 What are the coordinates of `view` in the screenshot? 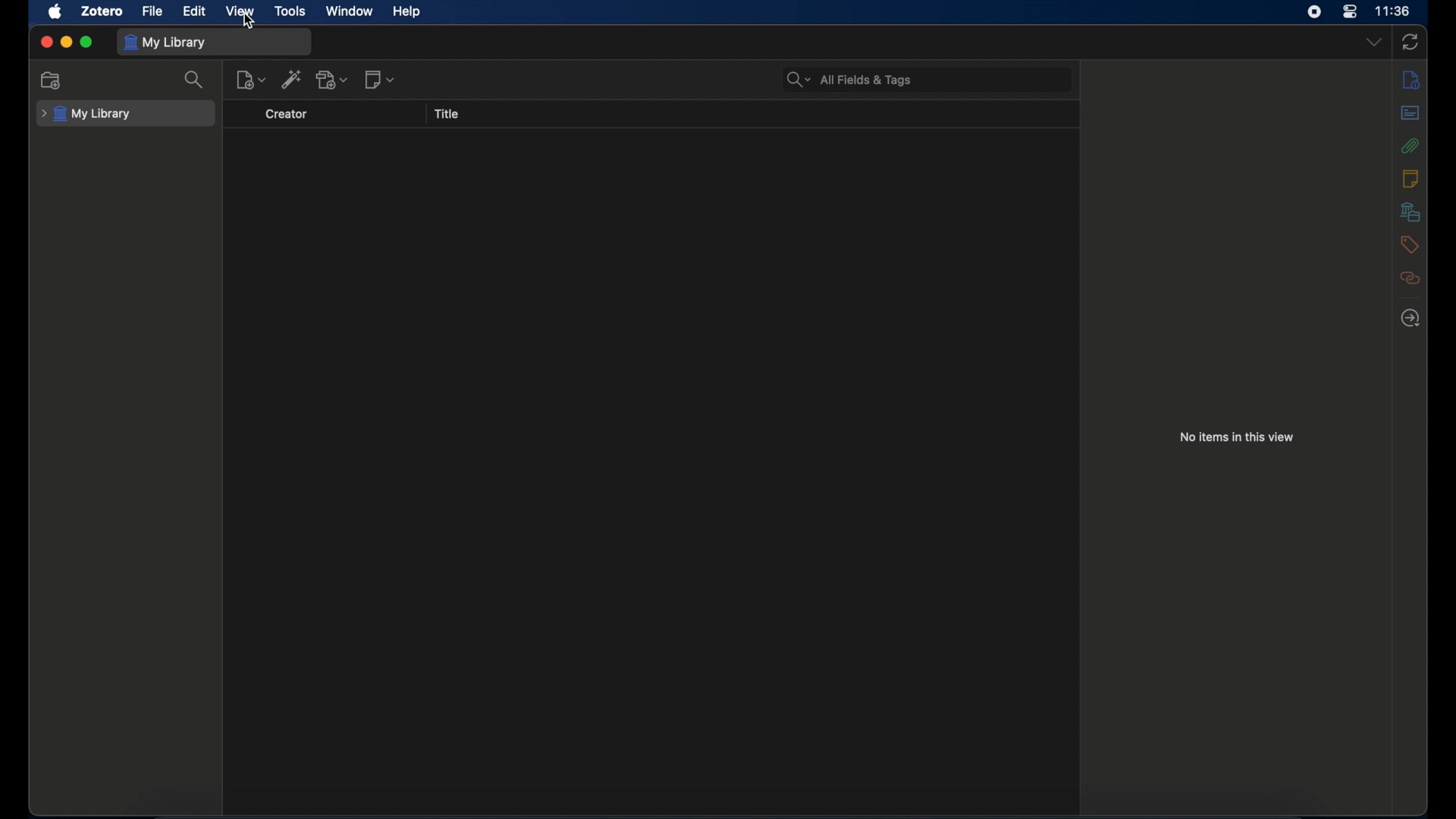 It's located at (240, 11).